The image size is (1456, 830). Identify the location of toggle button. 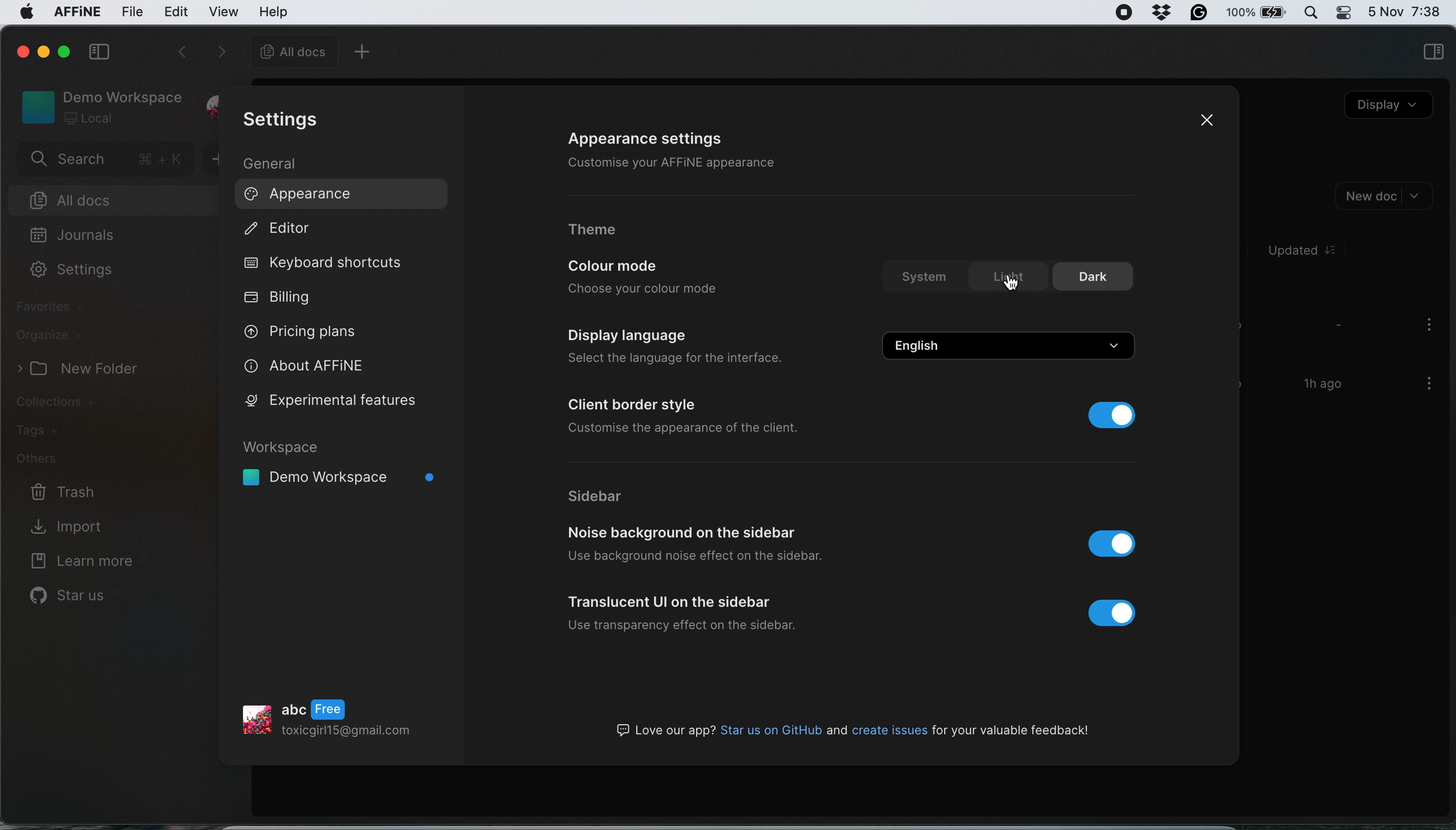
(1112, 415).